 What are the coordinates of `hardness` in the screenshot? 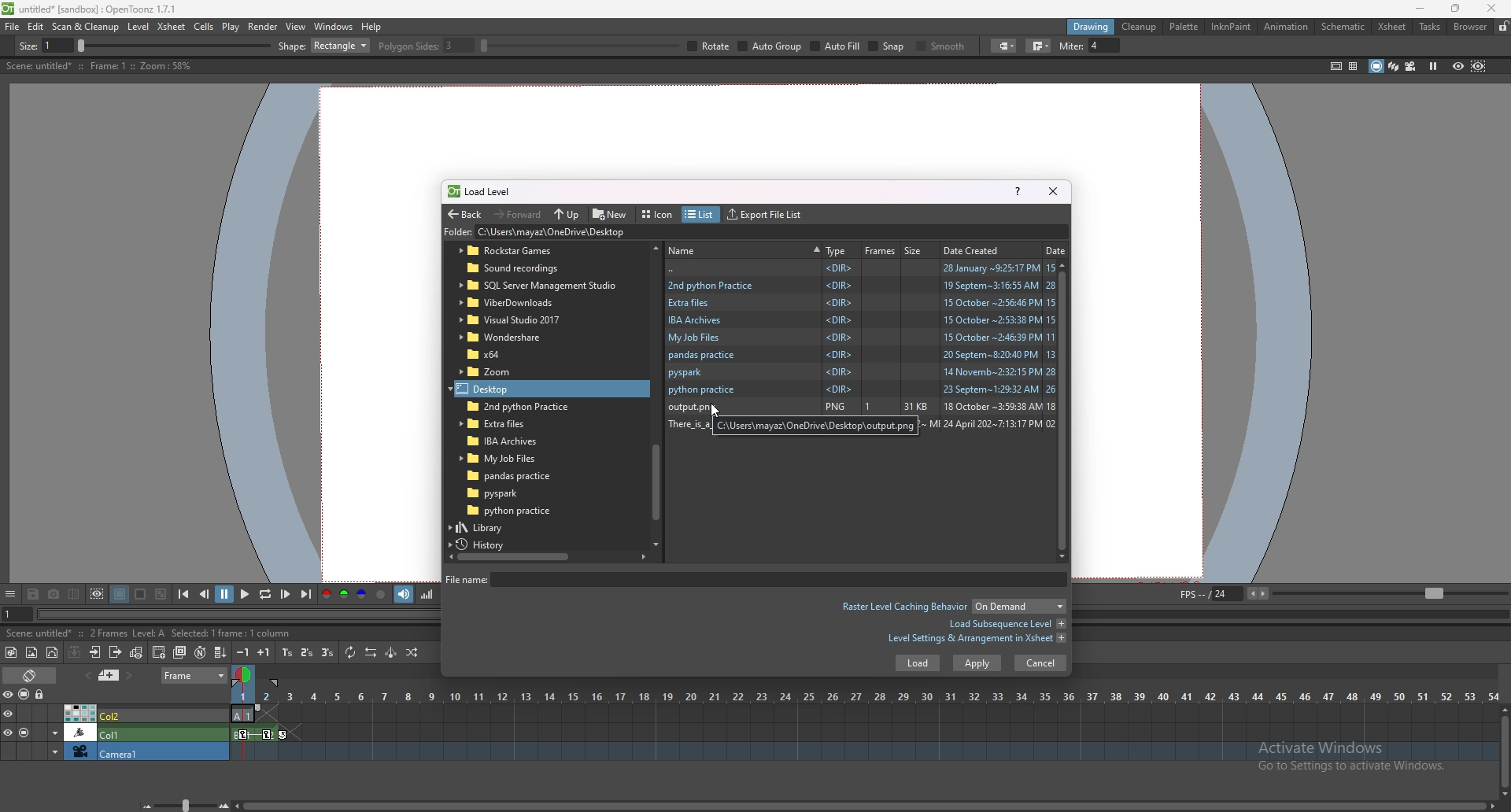 It's located at (448, 46).